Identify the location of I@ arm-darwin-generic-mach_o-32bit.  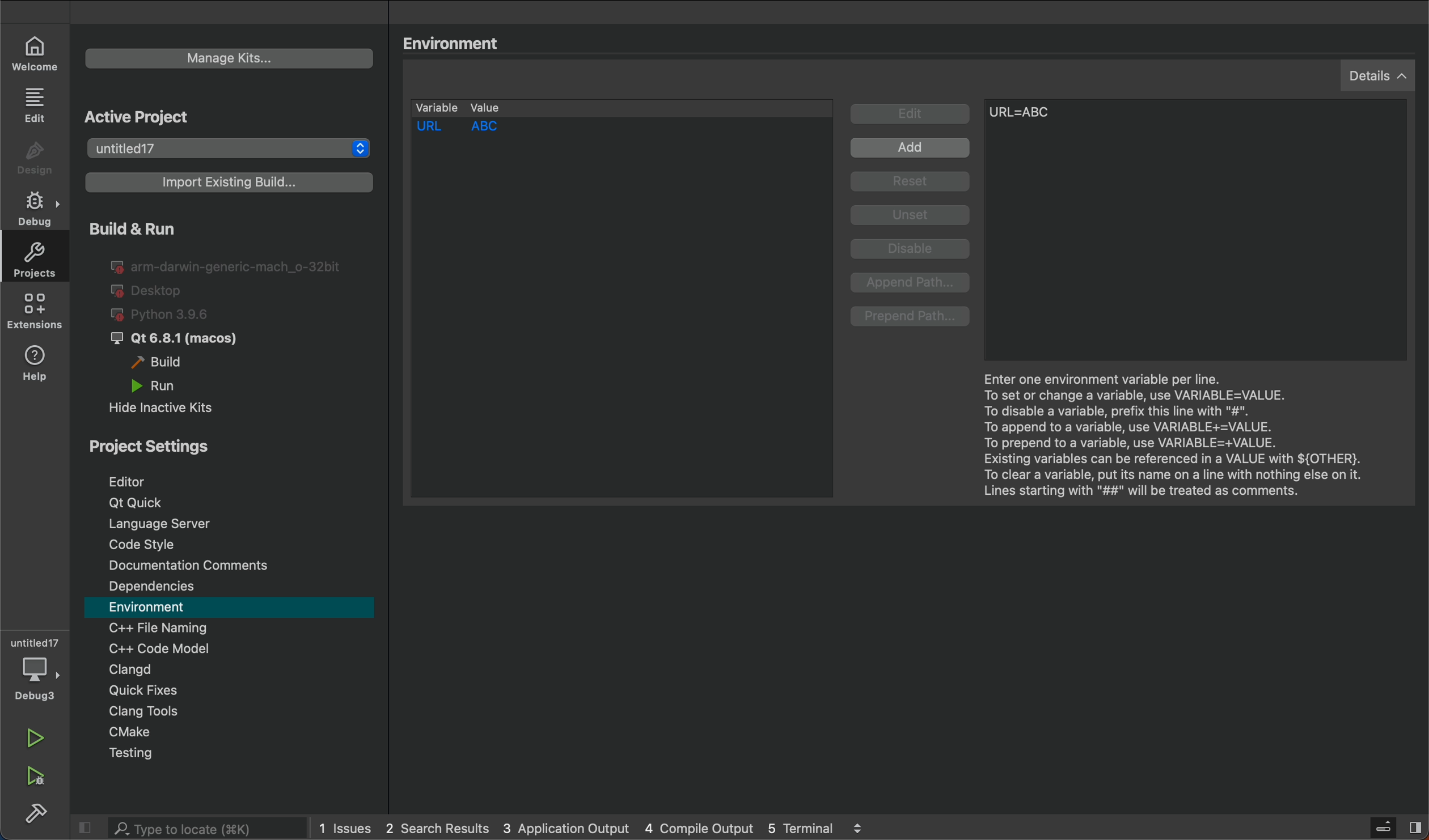
(228, 265).